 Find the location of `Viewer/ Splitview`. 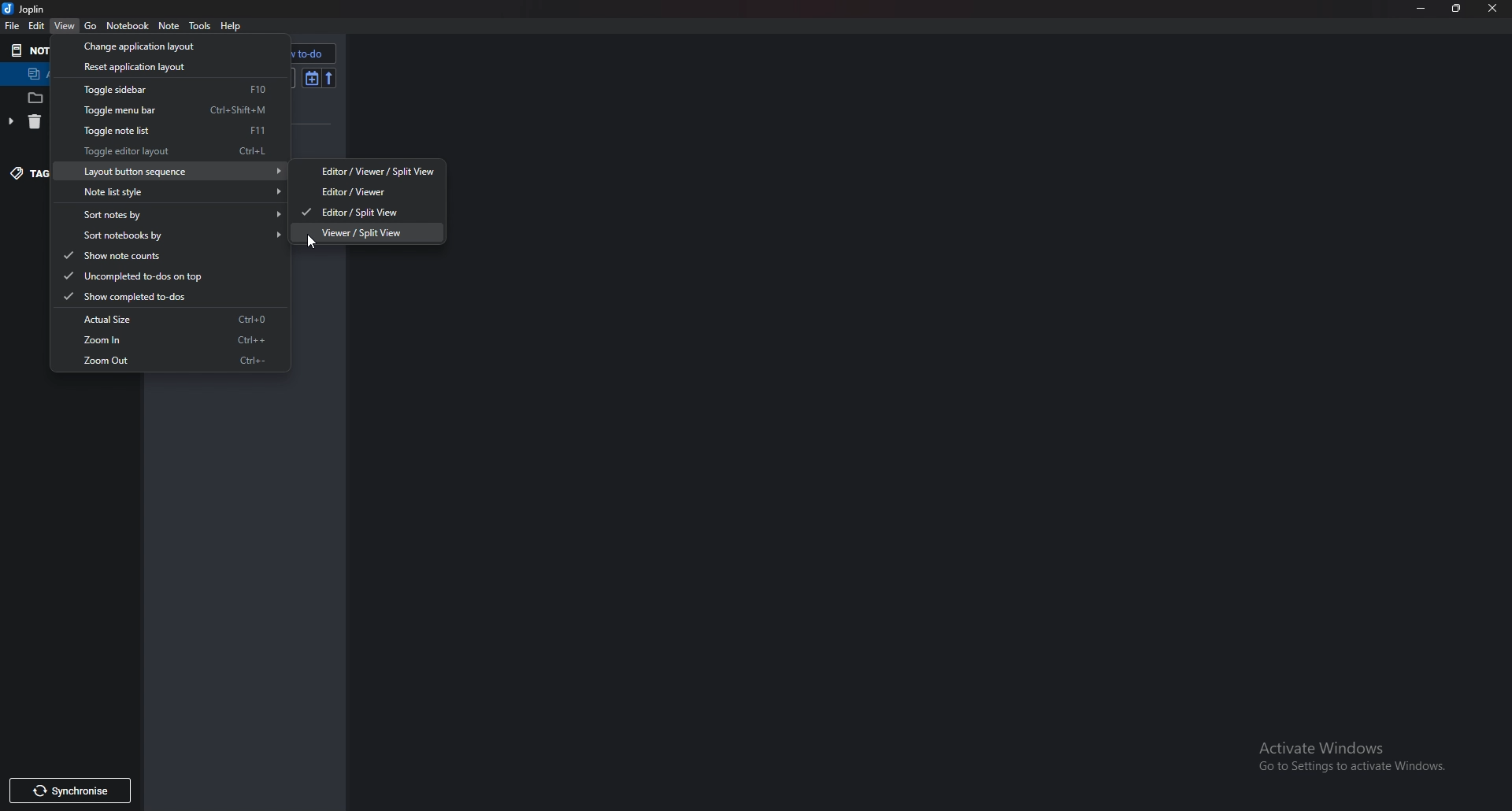

Viewer/ Splitview is located at coordinates (369, 231).